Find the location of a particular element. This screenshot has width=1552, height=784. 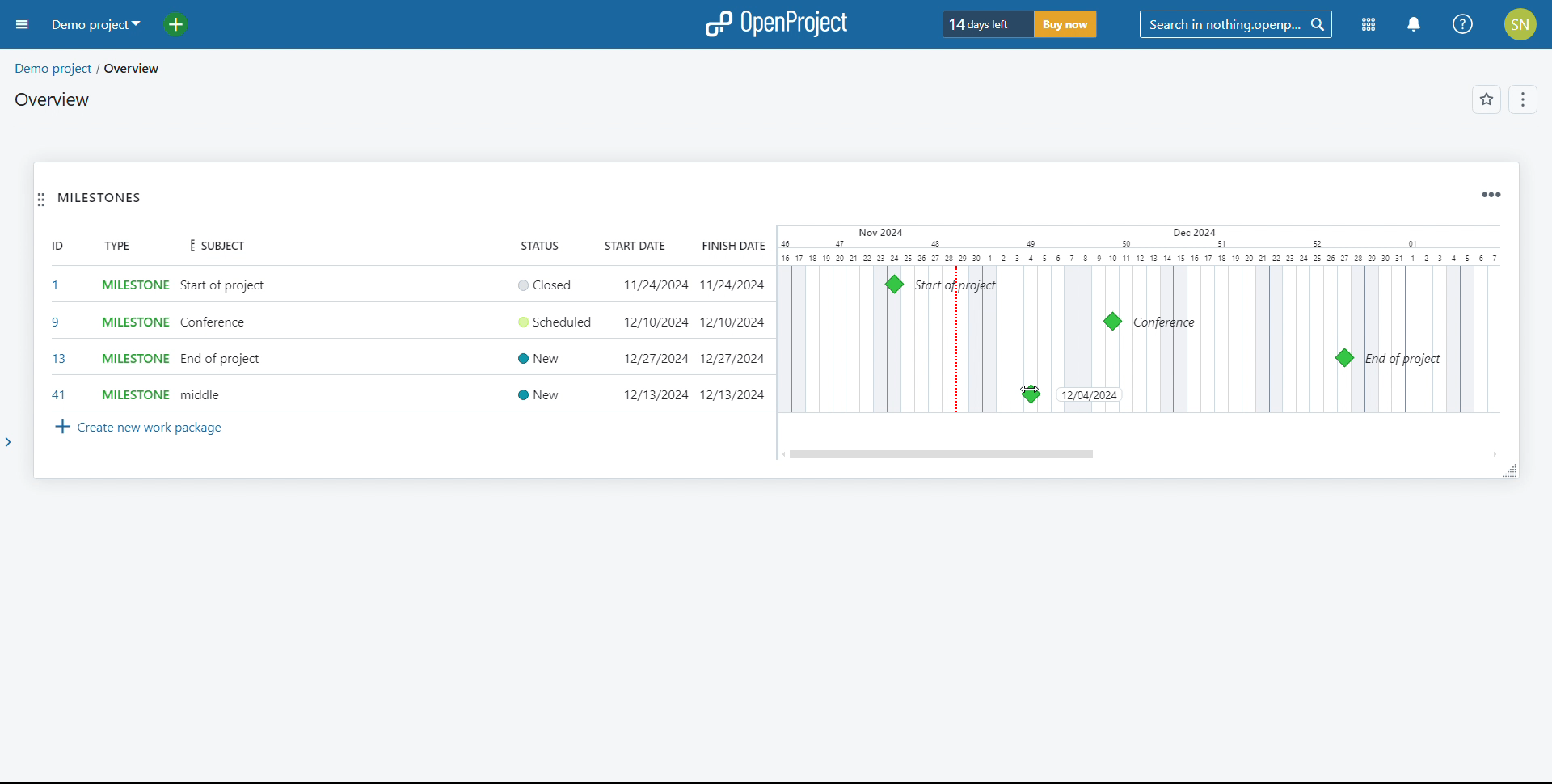

help is located at coordinates (1463, 24).